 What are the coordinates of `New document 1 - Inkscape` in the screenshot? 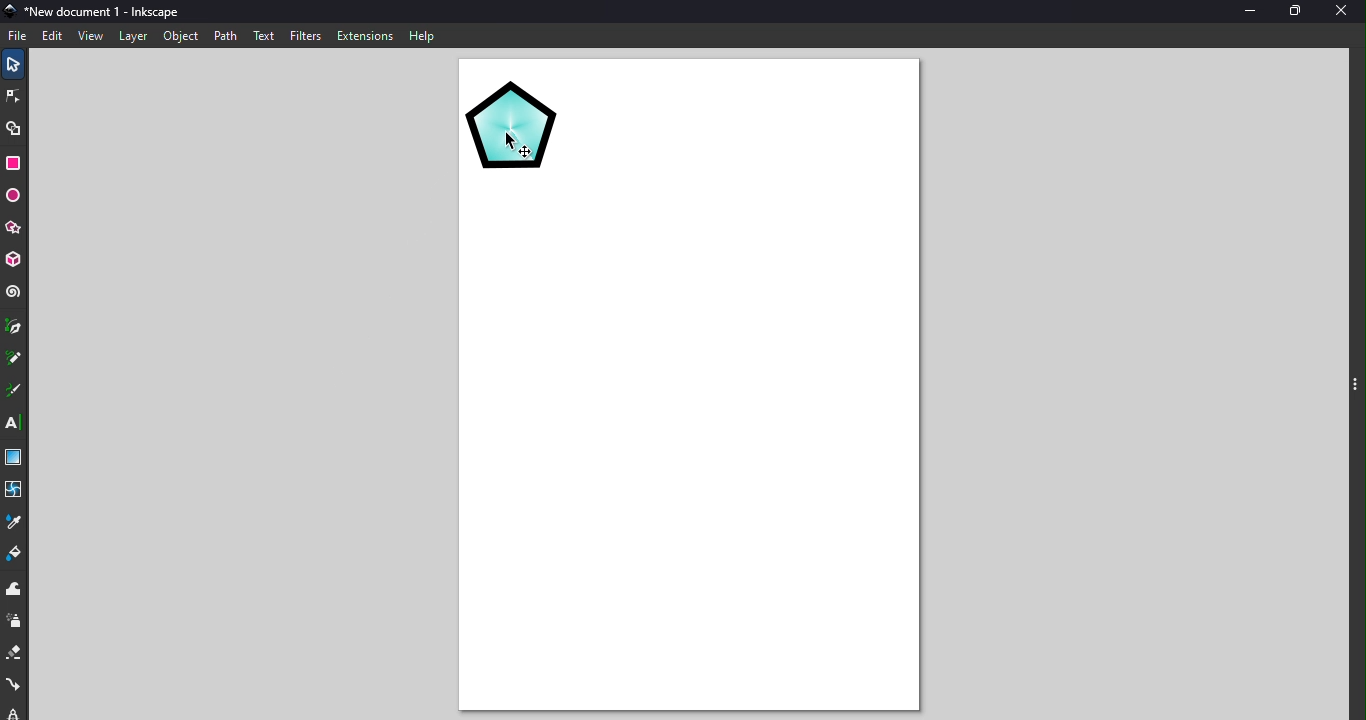 It's located at (106, 10).